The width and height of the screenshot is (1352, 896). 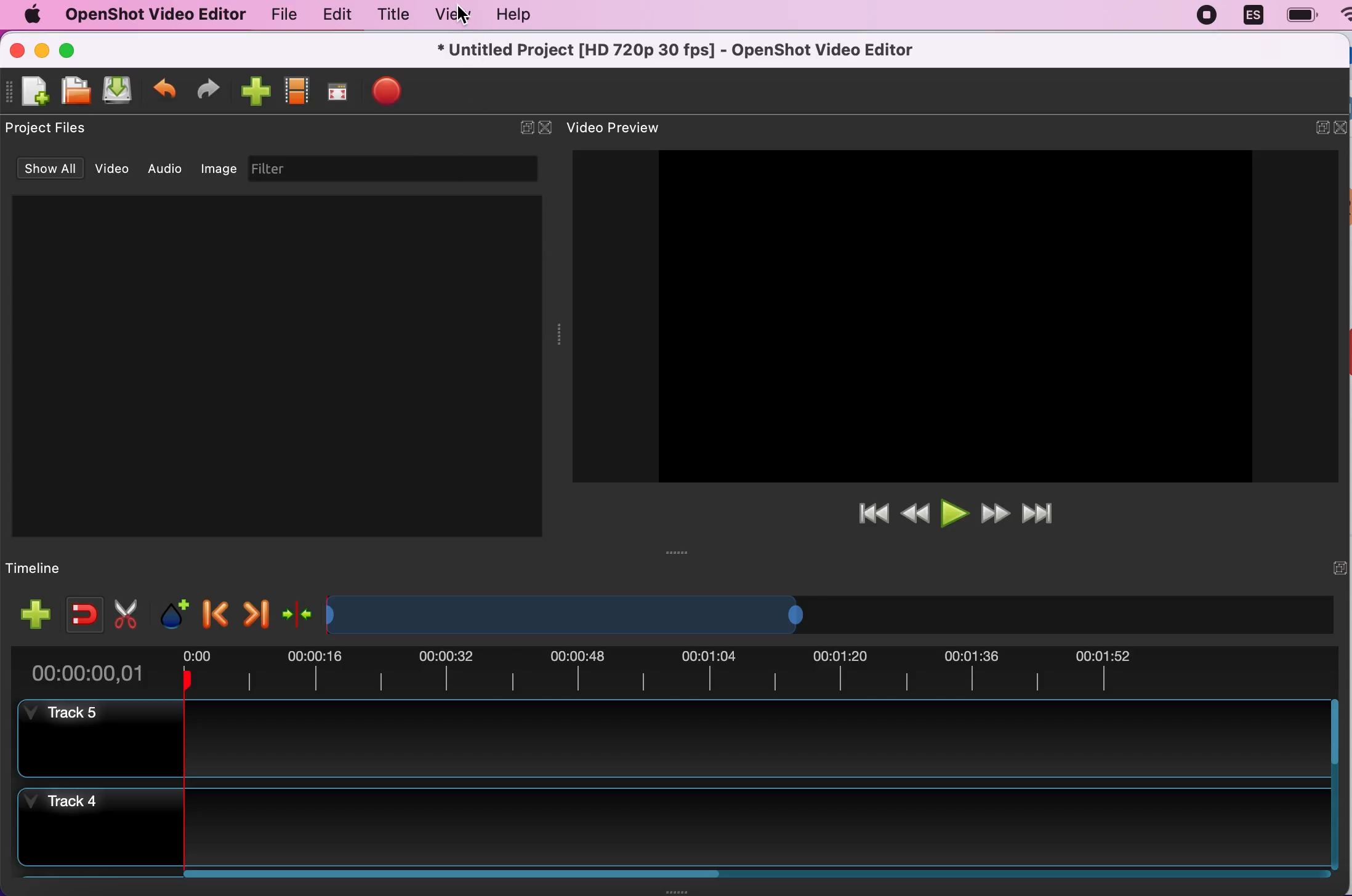 What do you see at coordinates (220, 167) in the screenshot?
I see `image` at bounding box center [220, 167].